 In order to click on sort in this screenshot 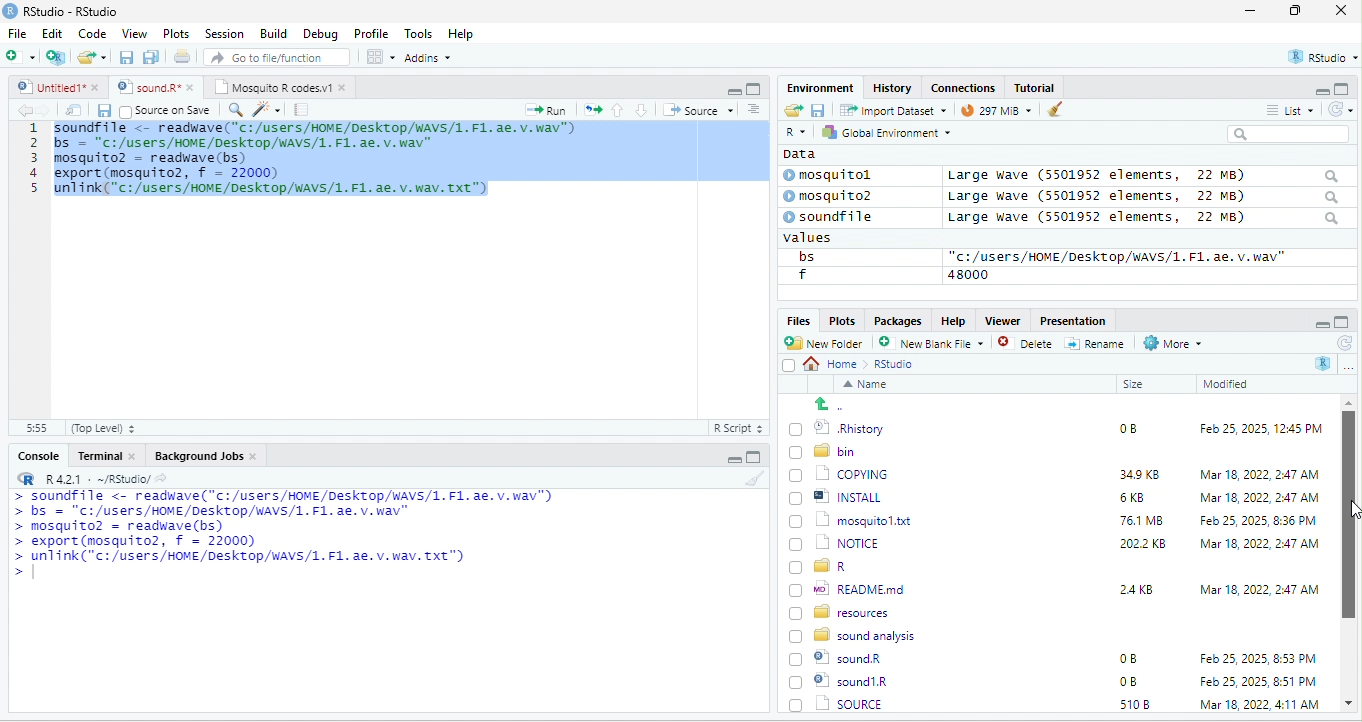, I will do `click(753, 108)`.